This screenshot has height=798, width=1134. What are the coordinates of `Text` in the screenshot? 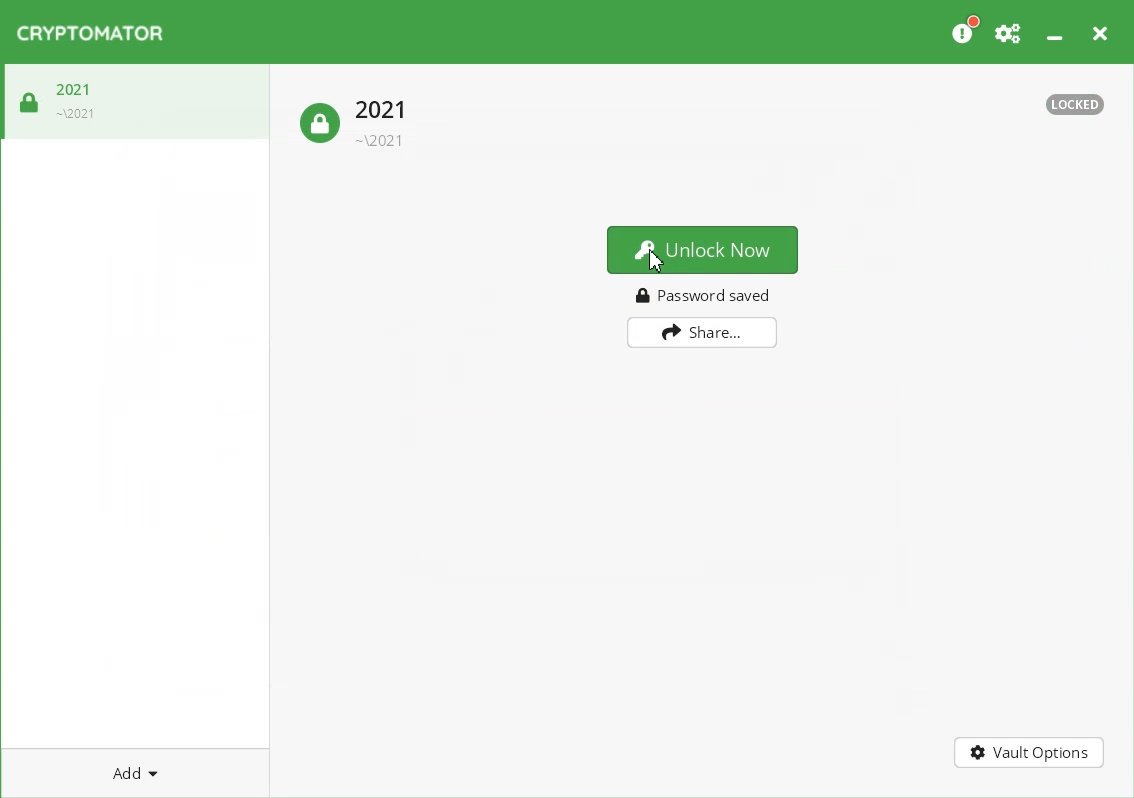 It's located at (704, 296).